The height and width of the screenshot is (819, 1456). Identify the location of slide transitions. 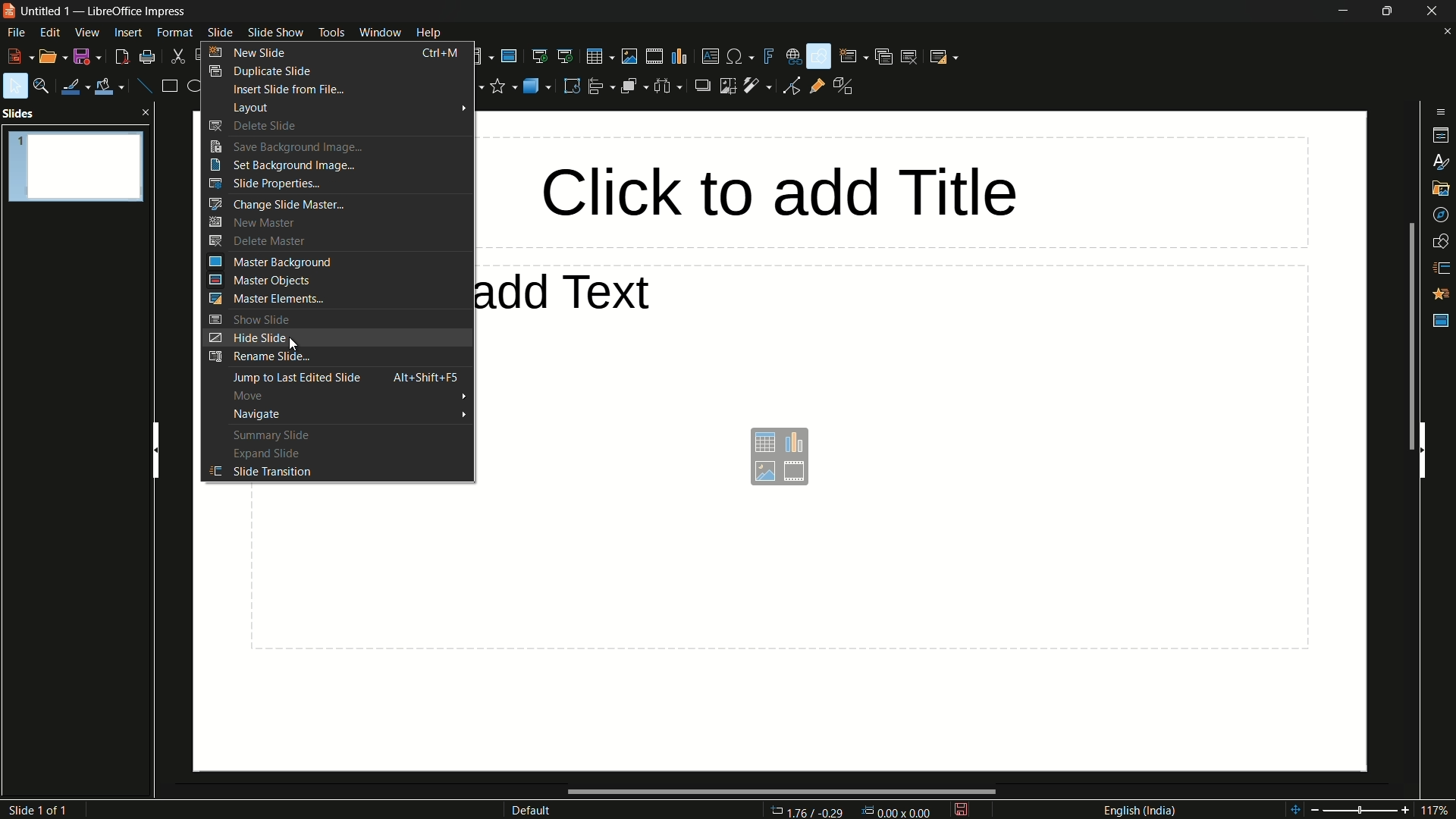
(1439, 265).